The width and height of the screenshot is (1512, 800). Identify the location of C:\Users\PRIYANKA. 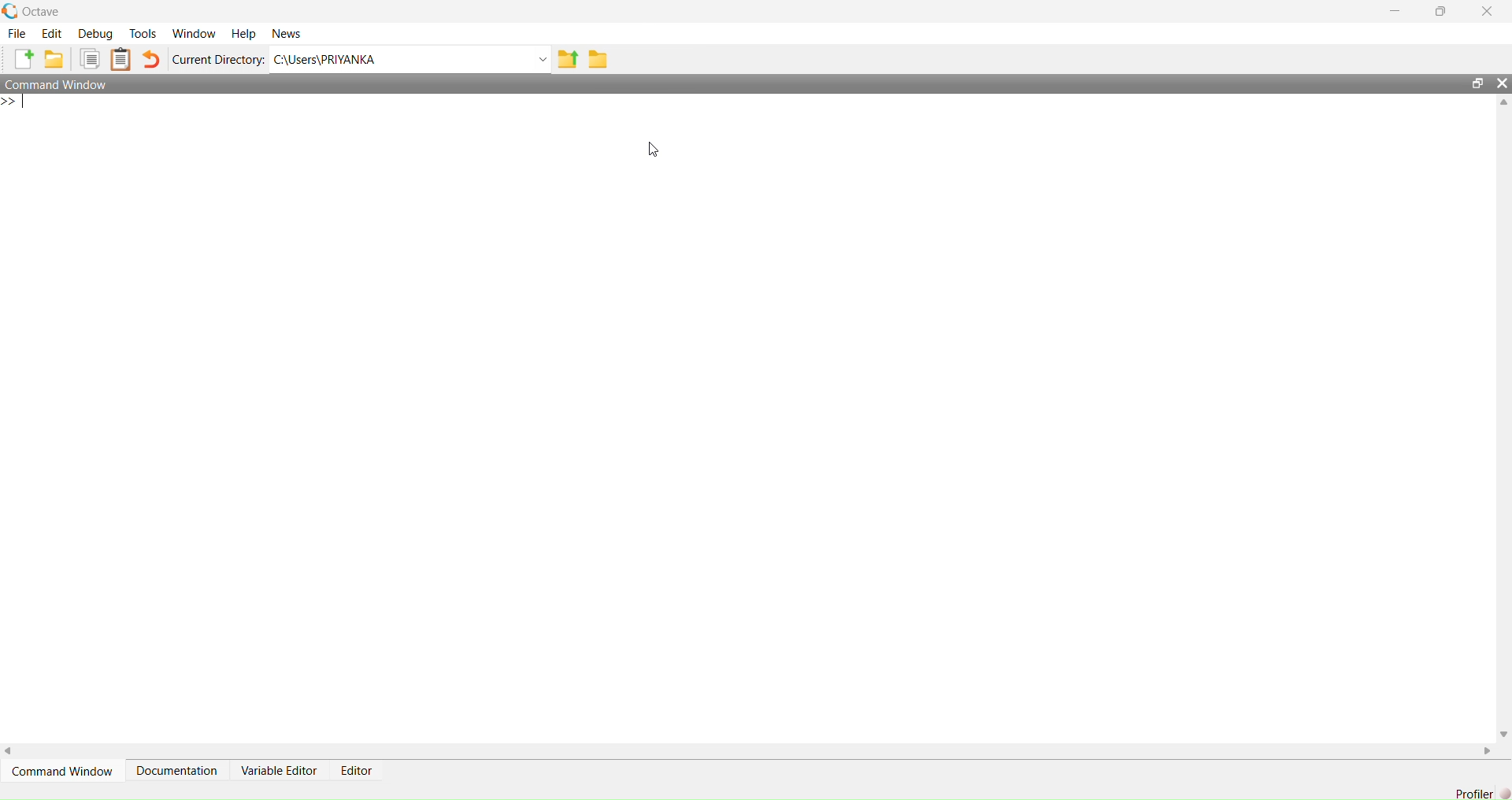
(401, 60).